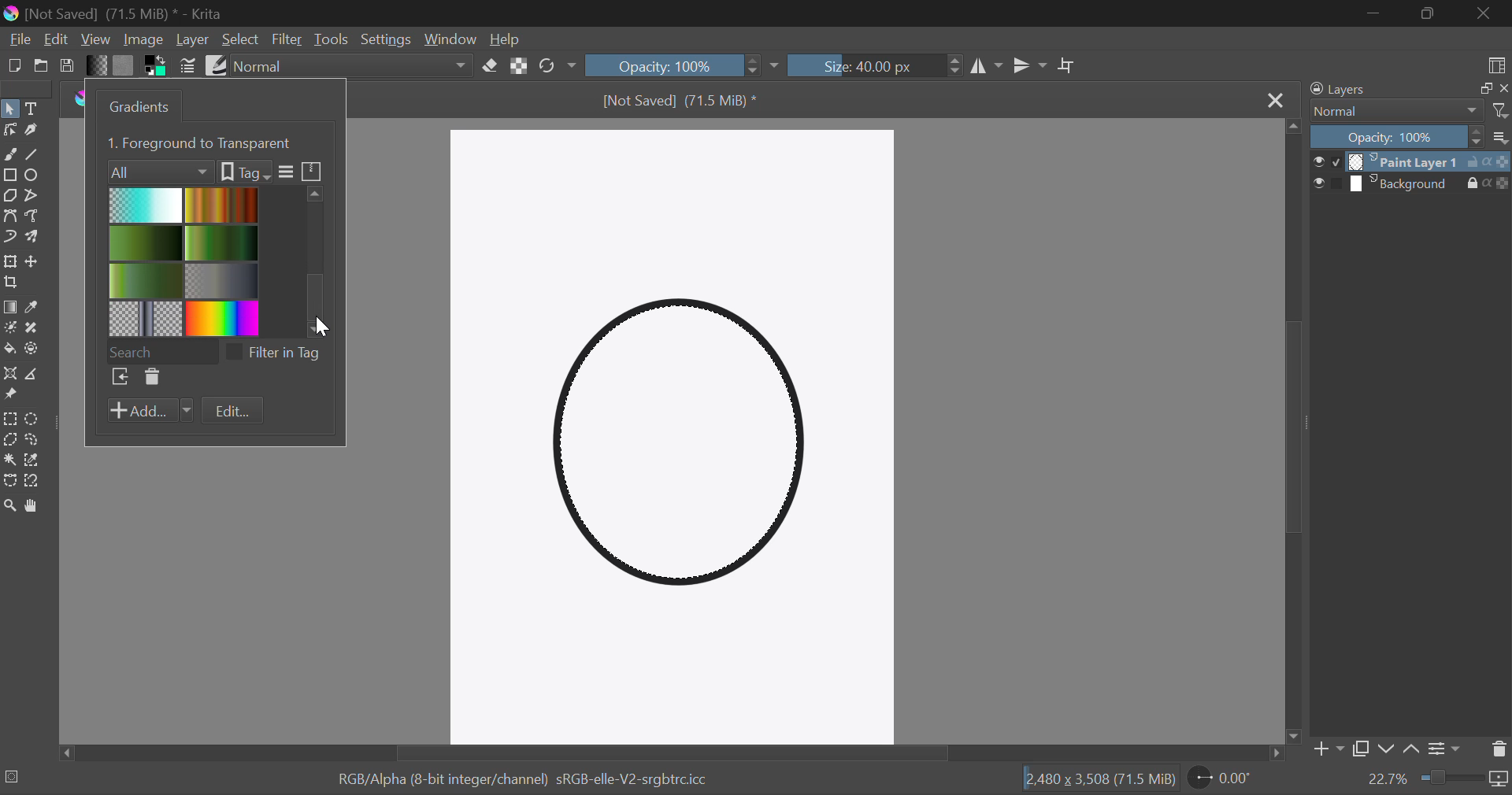  Describe the element at coordinates (1501, 782) in the screenshot. I see `icon` at that location.